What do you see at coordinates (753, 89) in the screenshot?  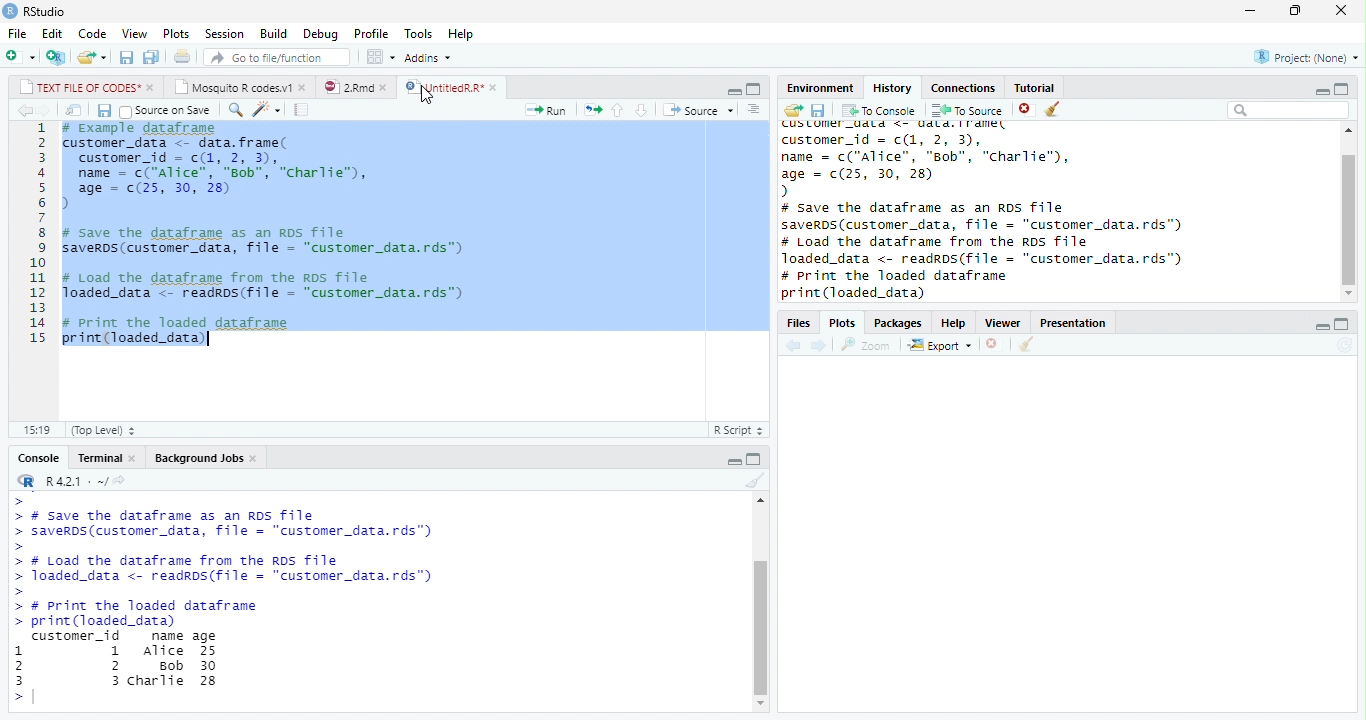 I see `maximize` at bounding box center [753, 89].